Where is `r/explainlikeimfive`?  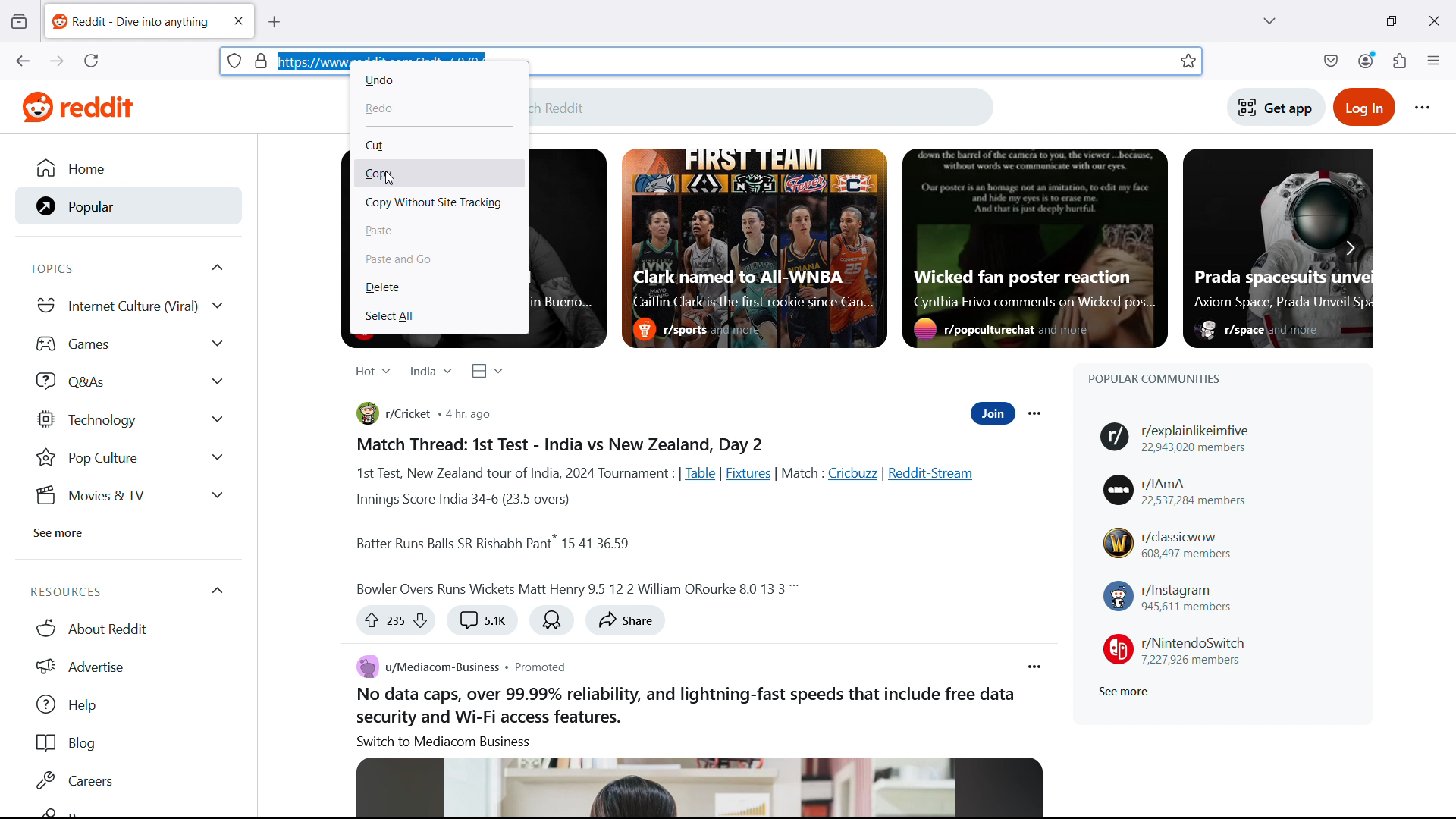 r/explainlikeimfive is located at coordinates (1184, 438).